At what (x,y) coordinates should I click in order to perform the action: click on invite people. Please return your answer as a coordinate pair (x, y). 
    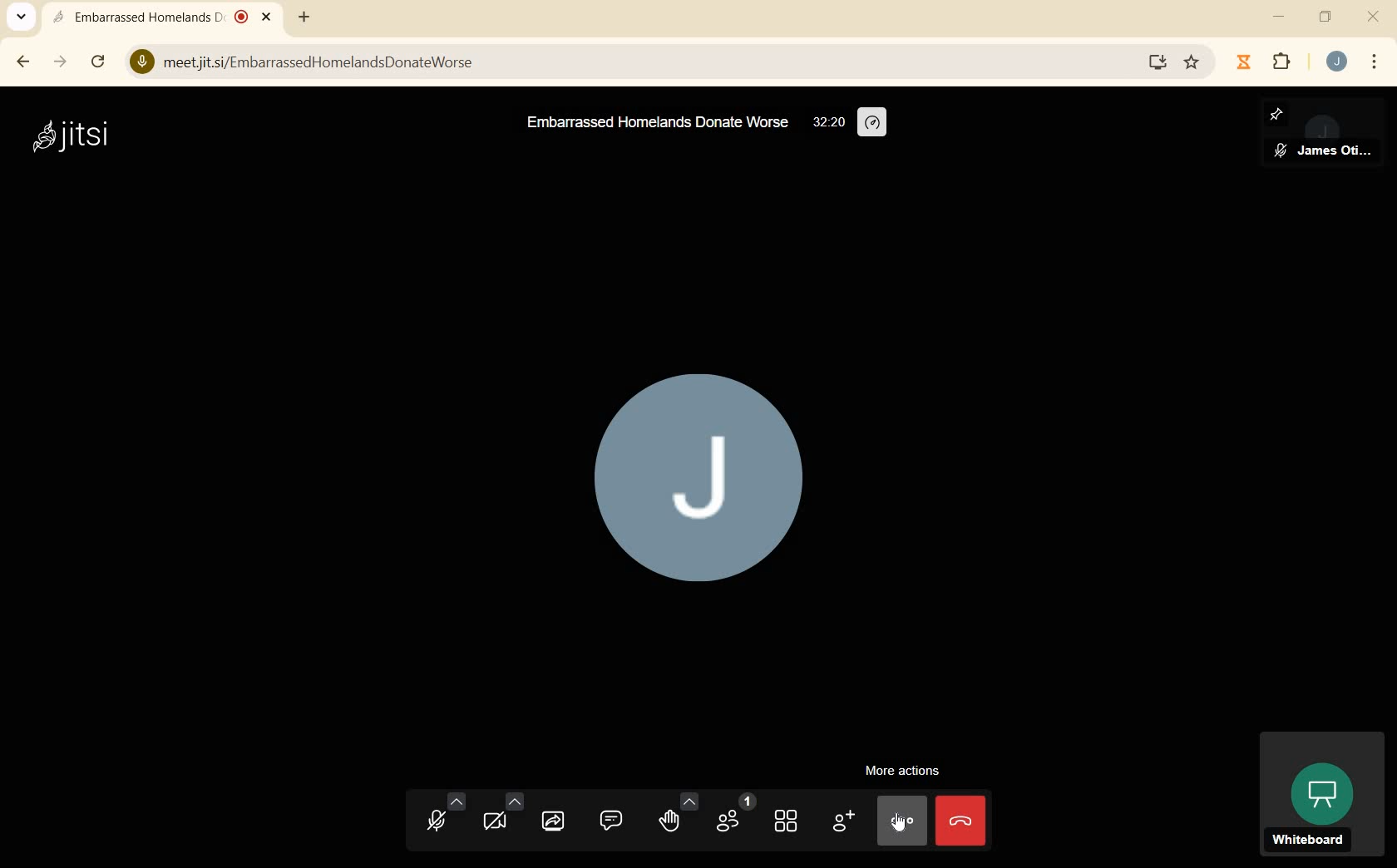
    Looking at the image, I should click on (842, 821).